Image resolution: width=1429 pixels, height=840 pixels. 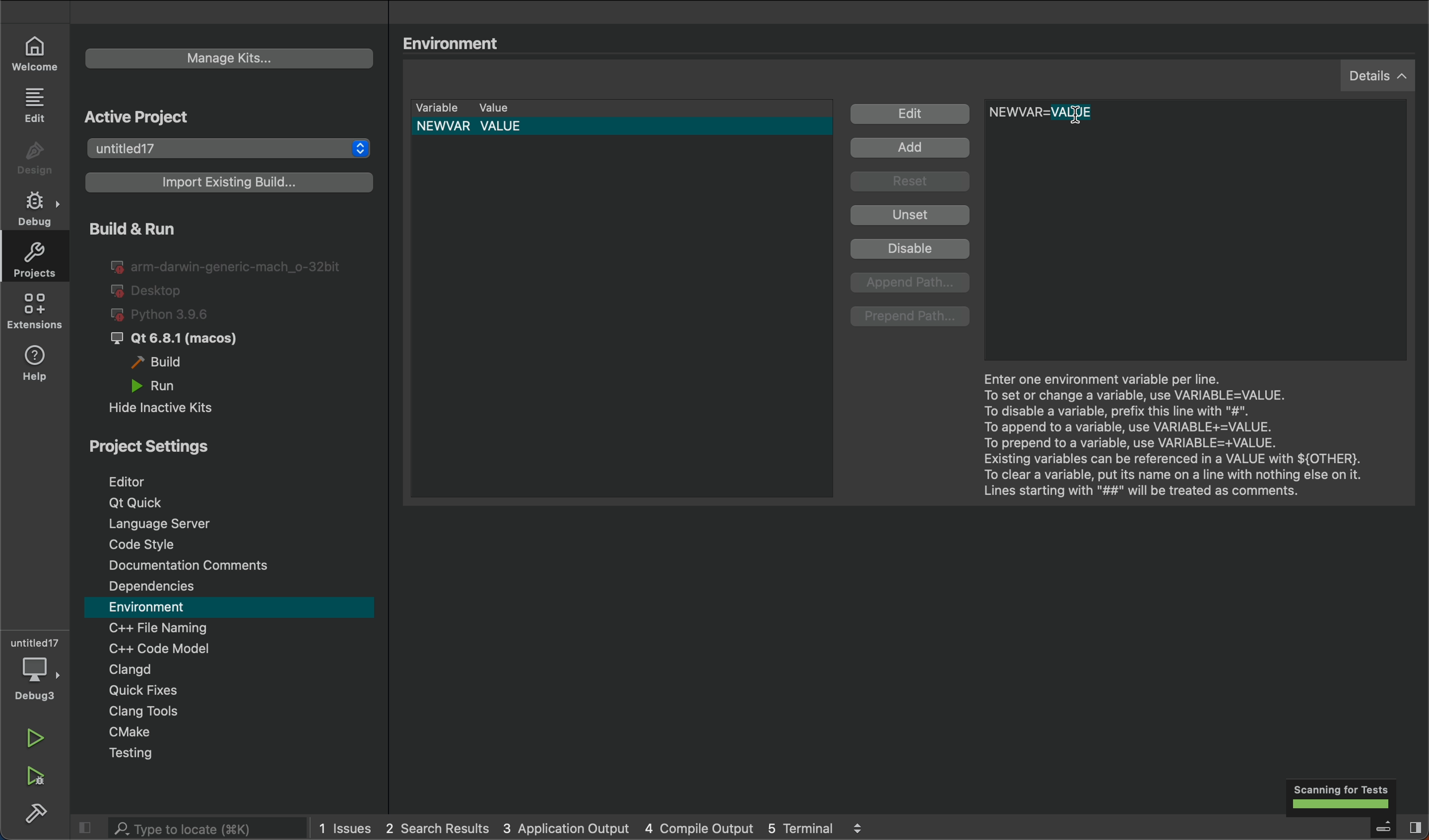 What do you see at coordinates (171, 228) in the screenshot?
I see `Build & Run` at bounding box center [171, 228].